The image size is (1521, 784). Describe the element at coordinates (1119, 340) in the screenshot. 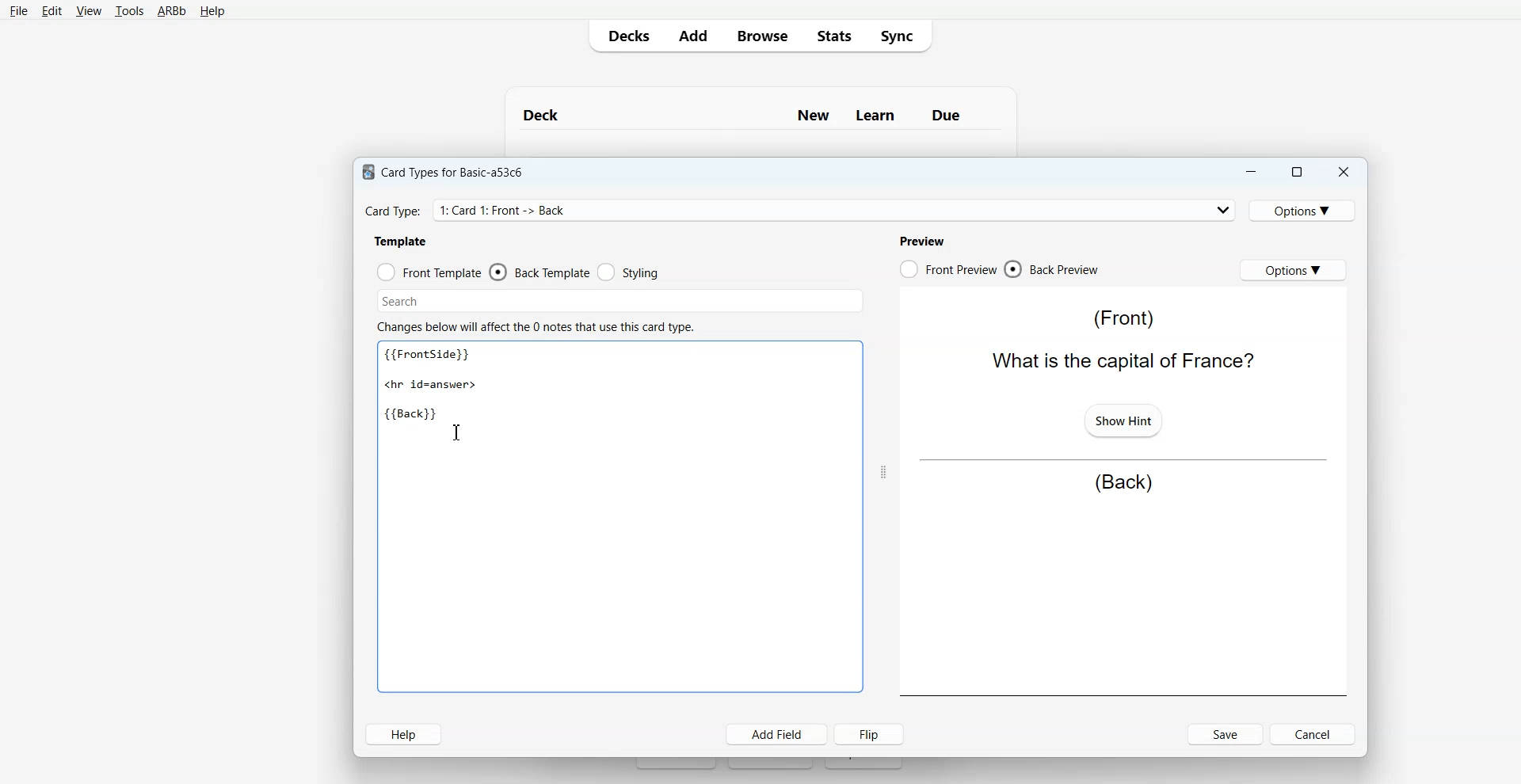

I see `(Front)
What is the capital of France?` at that location.